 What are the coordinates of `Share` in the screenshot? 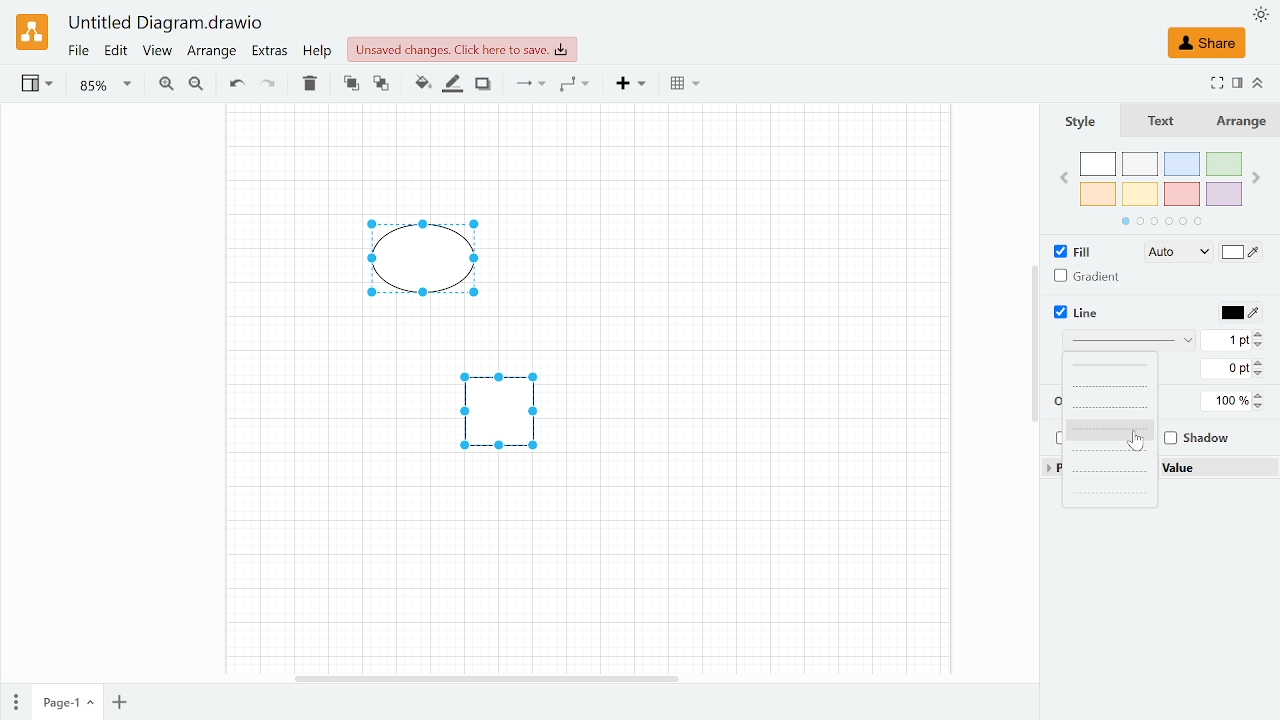 It's located at (1206, 43).